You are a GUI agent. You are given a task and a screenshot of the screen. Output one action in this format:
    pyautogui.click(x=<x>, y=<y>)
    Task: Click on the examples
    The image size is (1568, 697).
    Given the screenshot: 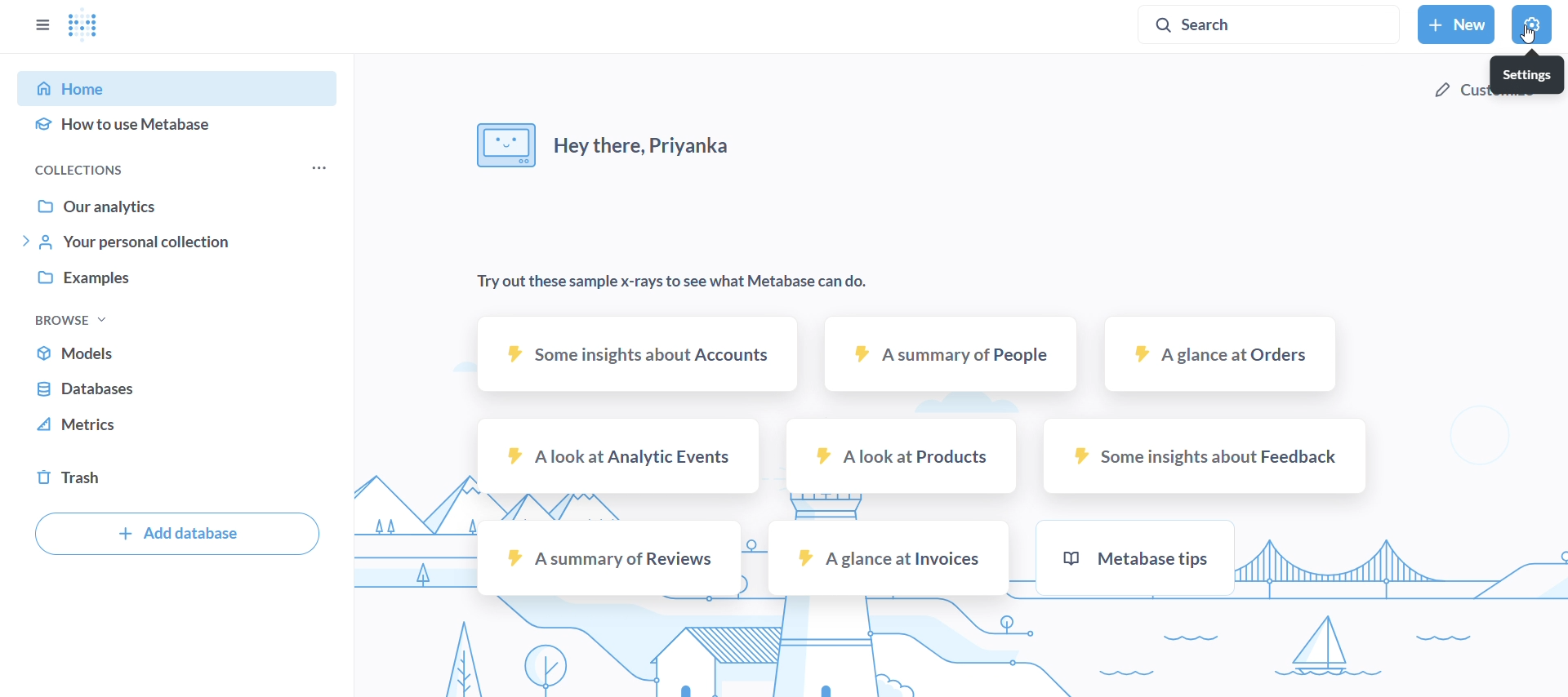 What is the action you would take?
    pyautogui.click(x=182, y=279)
    